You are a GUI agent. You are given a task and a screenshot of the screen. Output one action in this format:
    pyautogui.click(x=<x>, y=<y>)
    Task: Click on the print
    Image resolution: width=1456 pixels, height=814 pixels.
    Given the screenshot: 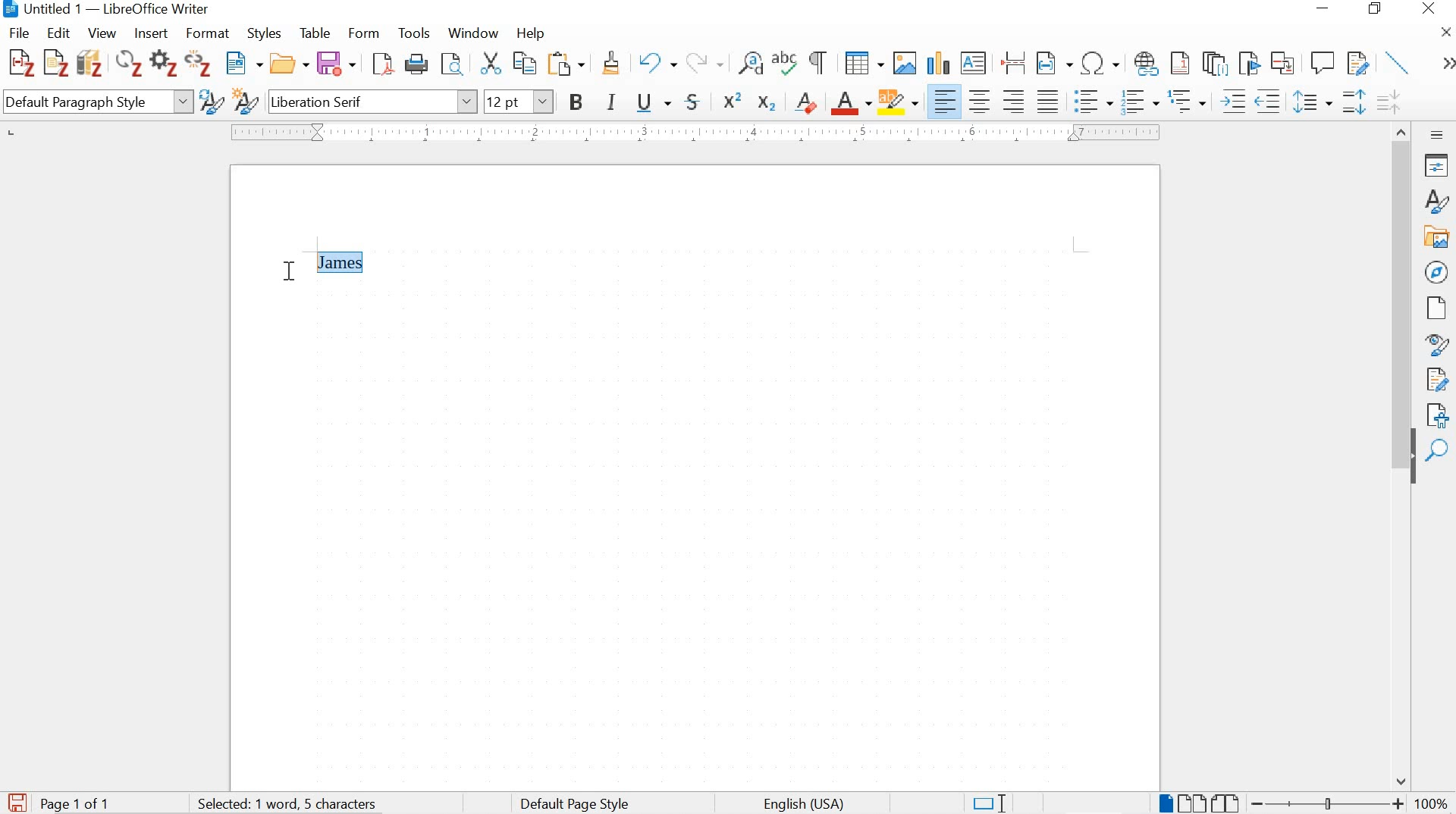 What is the action you would take?
    pyautogui.click(x=418, y=64)
    